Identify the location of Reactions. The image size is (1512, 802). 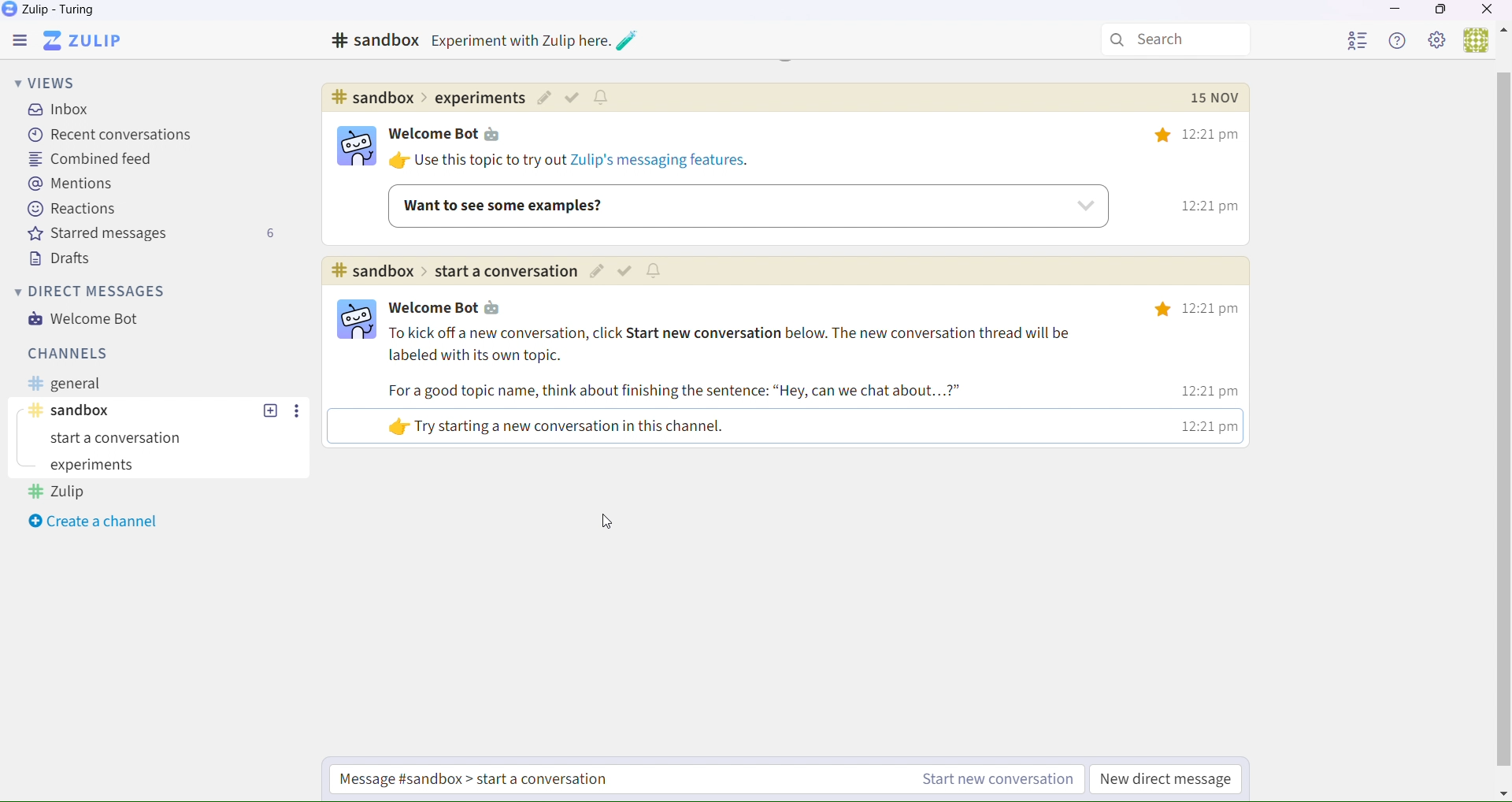
(73, 211).